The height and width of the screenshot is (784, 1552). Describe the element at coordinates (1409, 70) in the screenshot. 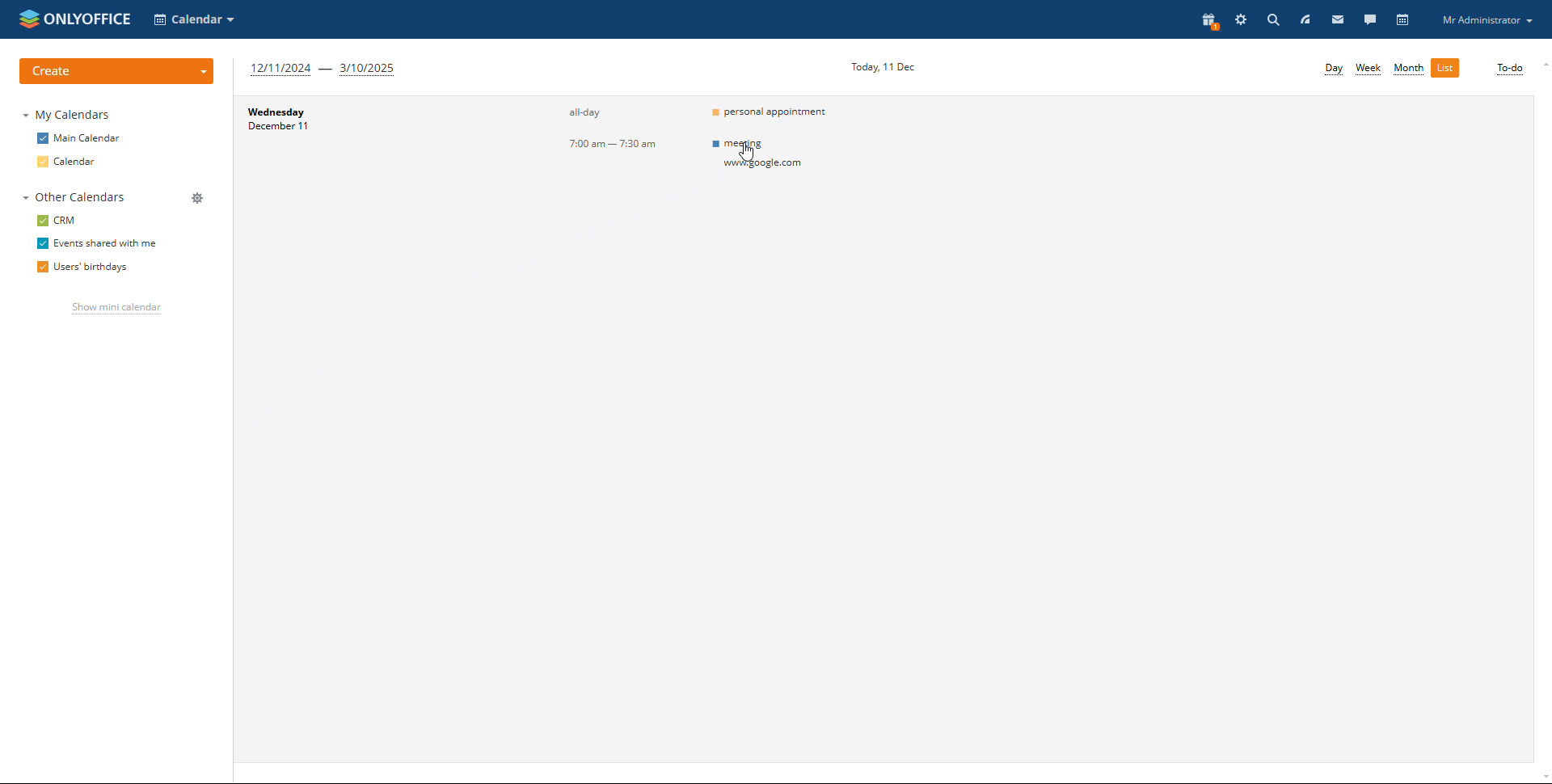

I see `month view` at that location.